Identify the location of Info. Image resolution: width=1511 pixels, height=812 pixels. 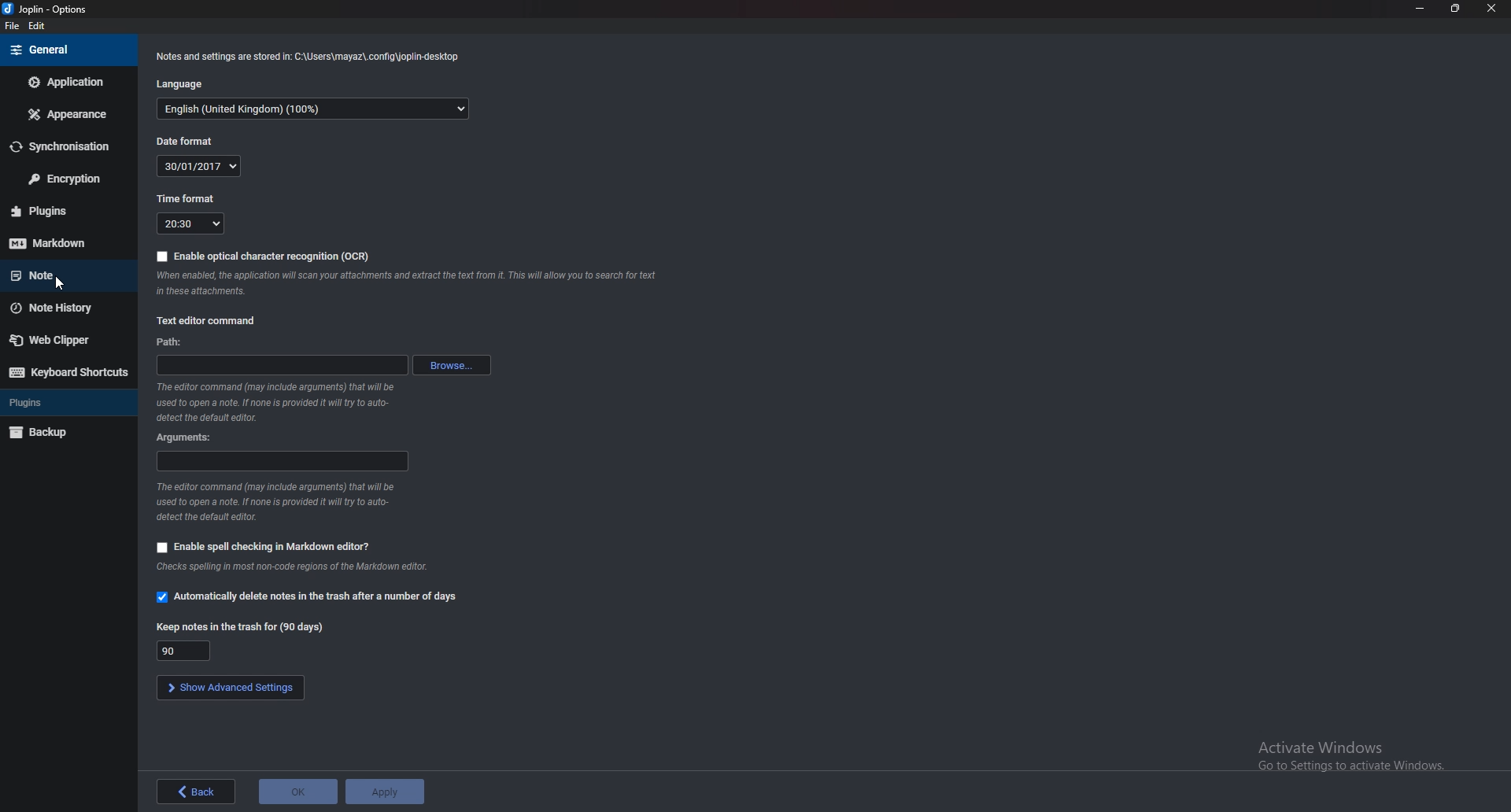
(299, 567).